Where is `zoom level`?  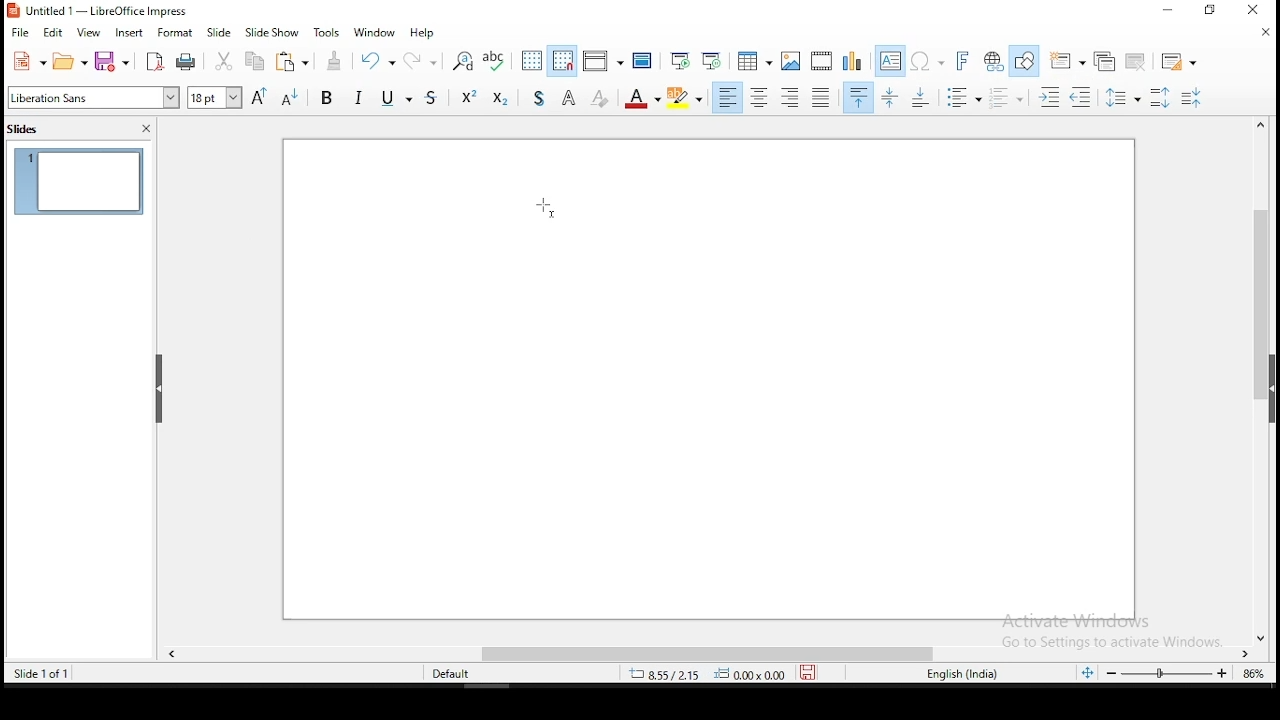
zoom level is located at coordinates (1251, 676).